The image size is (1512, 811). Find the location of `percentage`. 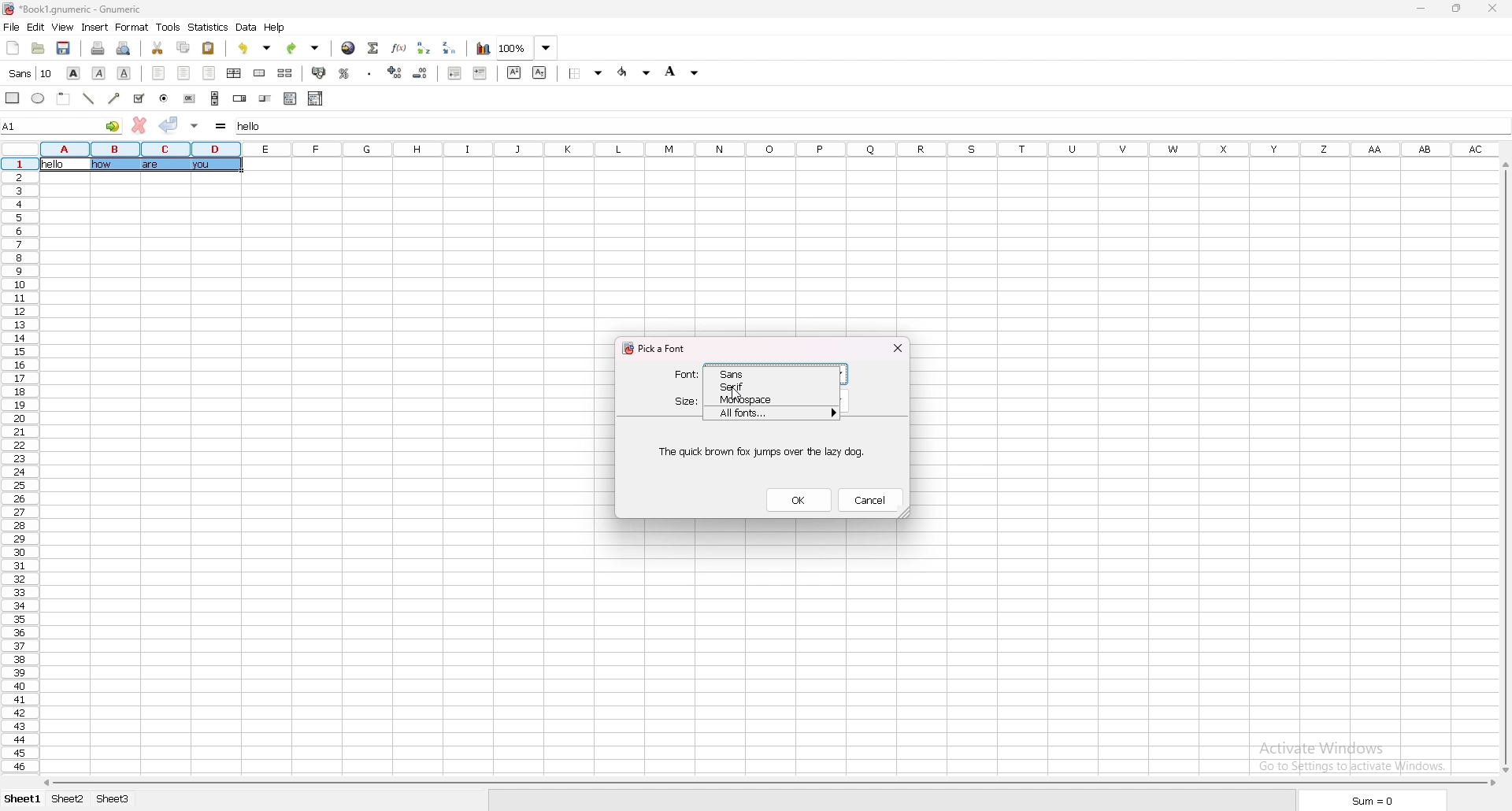

percentage is located at coordinates (346, 72).